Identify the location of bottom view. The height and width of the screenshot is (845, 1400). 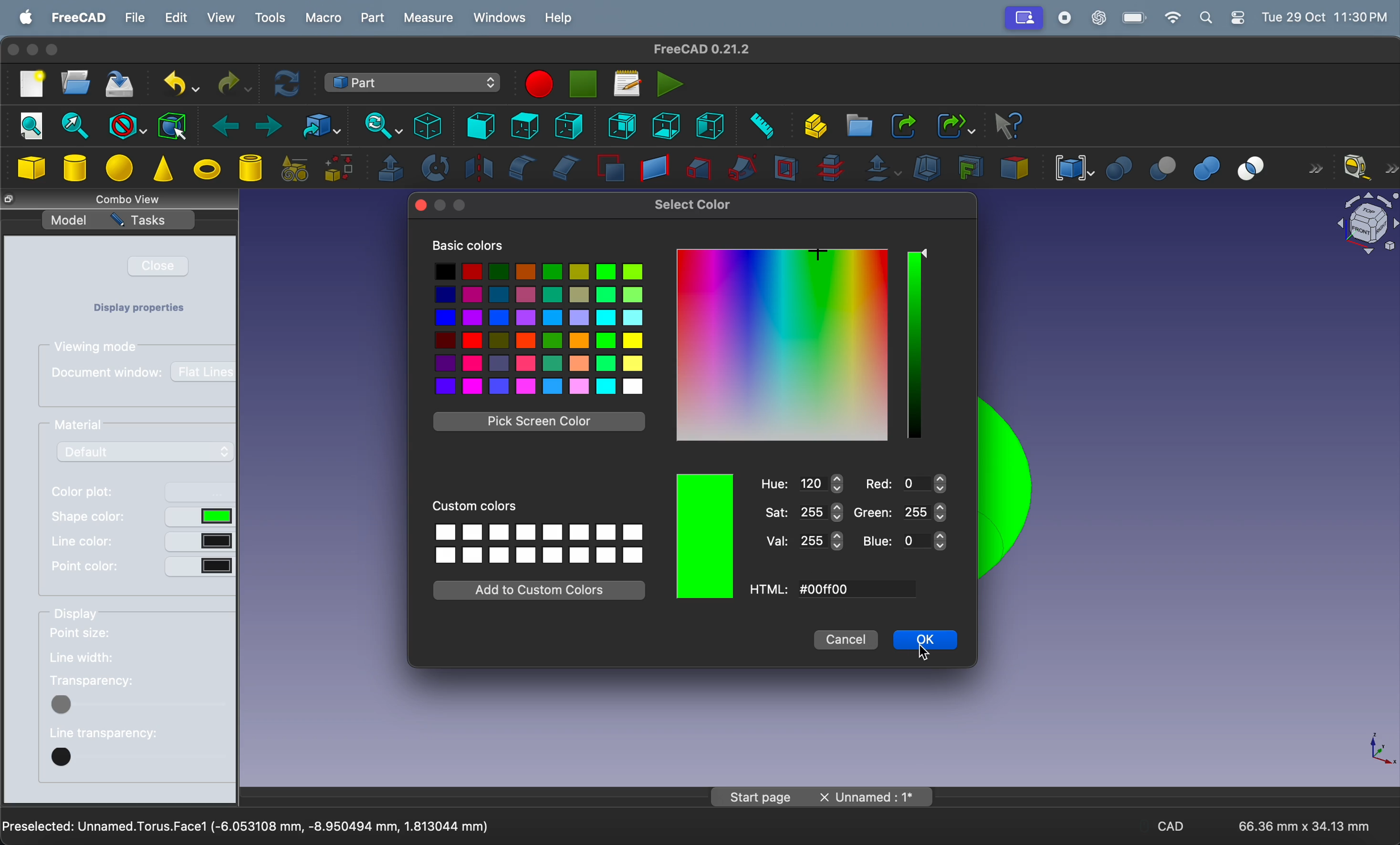
(665, 126).